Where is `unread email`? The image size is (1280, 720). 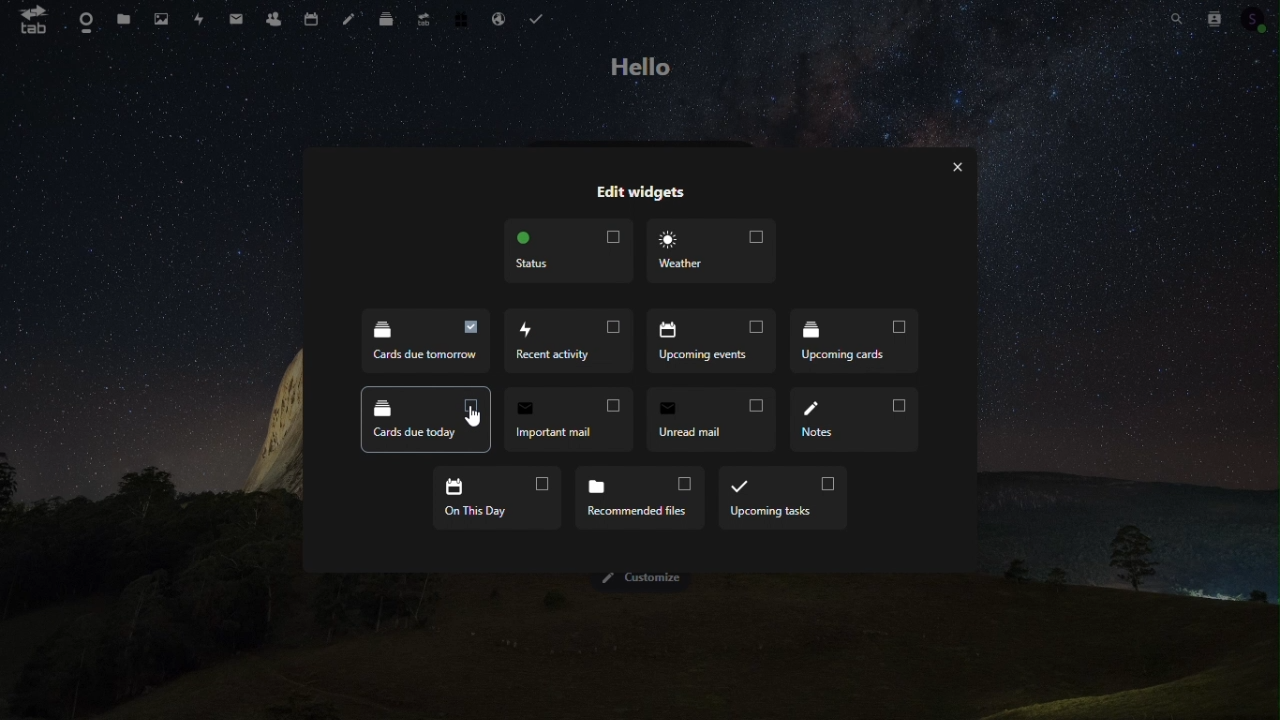
unread email is located at coordinates (710, 420).